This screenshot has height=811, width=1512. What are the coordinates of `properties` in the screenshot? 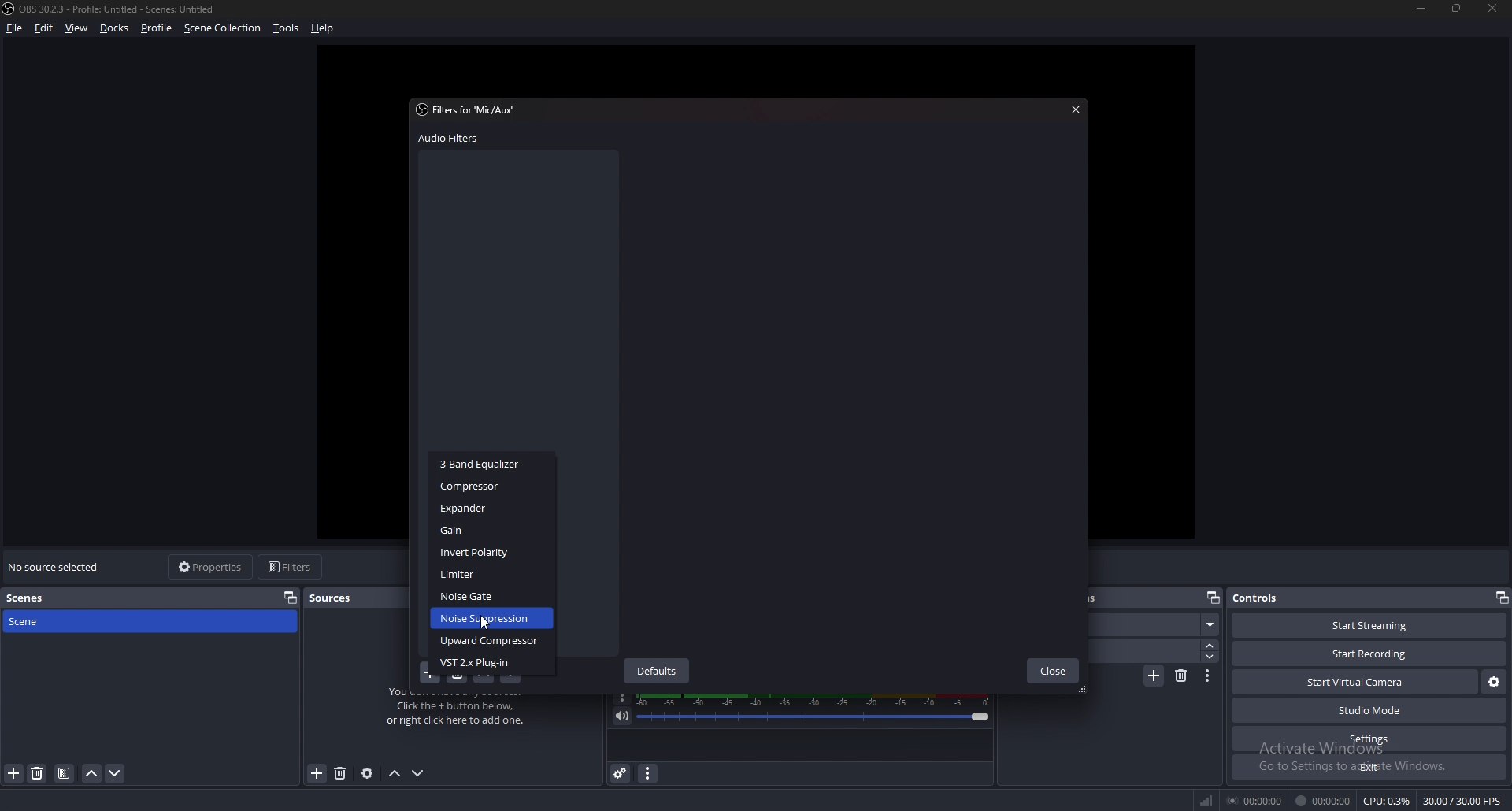 It's located at (291, 598).